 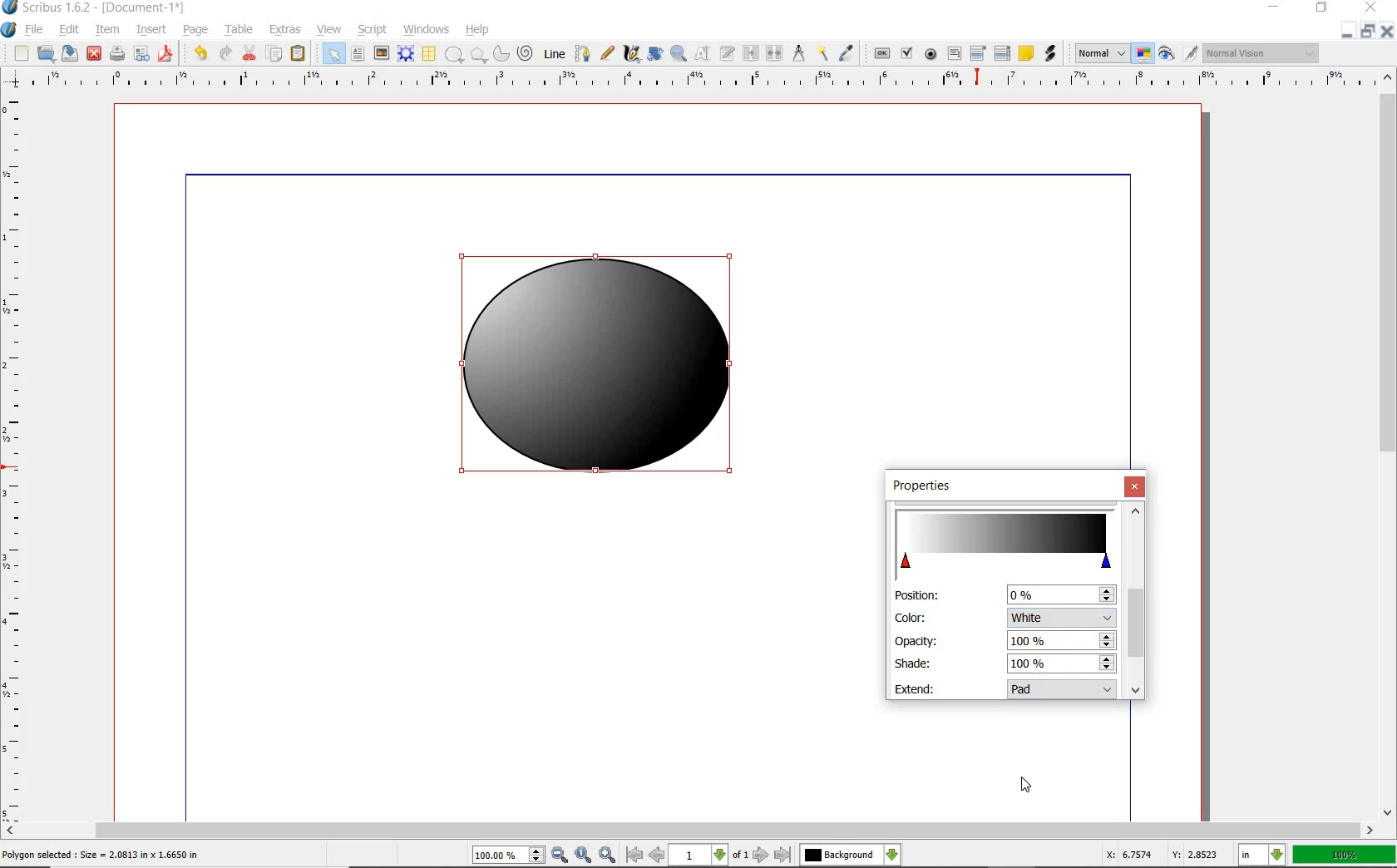 I want to click on position, so click(x=1059, y=594).